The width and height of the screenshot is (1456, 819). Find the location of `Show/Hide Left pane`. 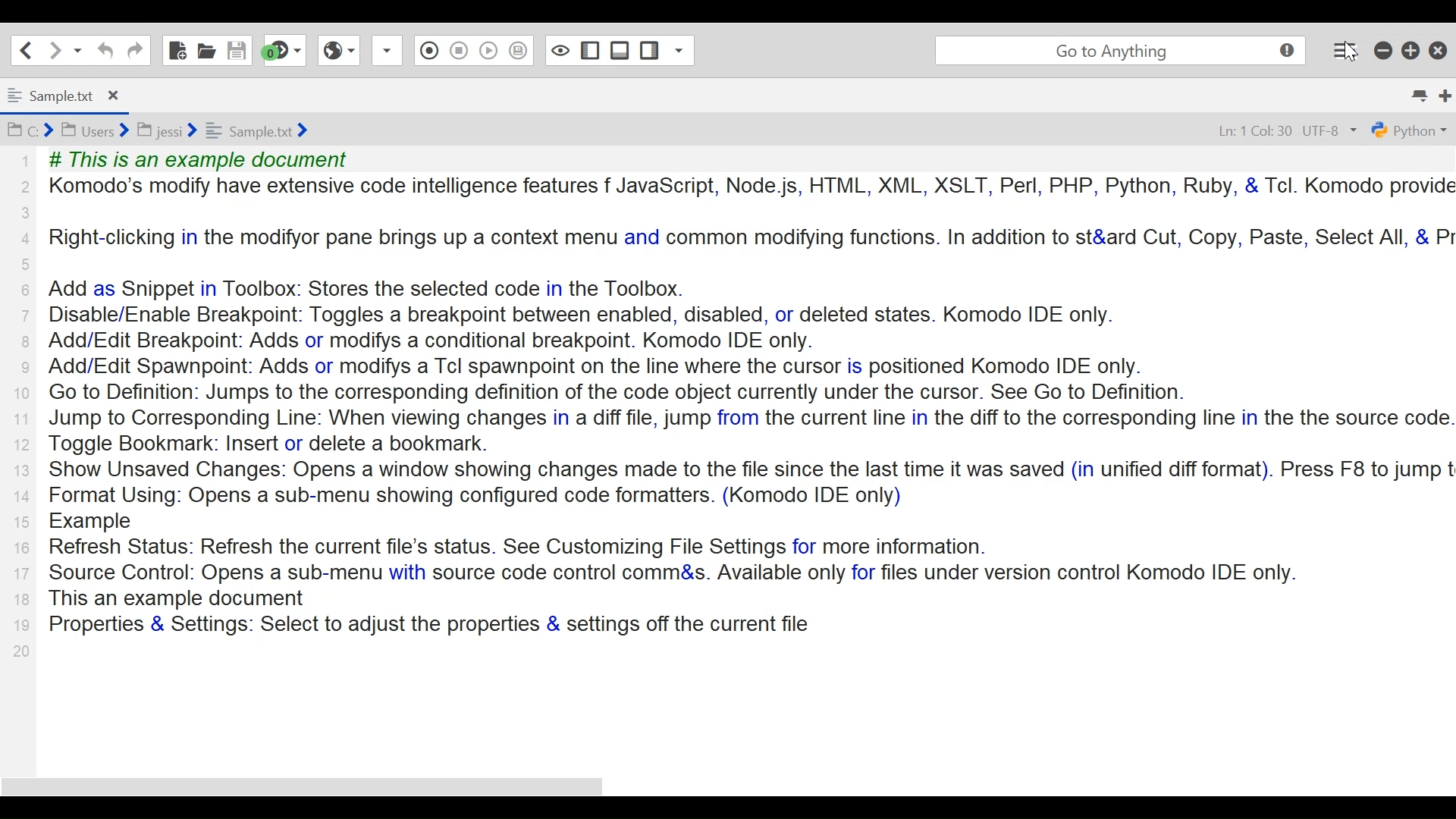

Show/Hide Left pane is located at coordinates (561, 50).